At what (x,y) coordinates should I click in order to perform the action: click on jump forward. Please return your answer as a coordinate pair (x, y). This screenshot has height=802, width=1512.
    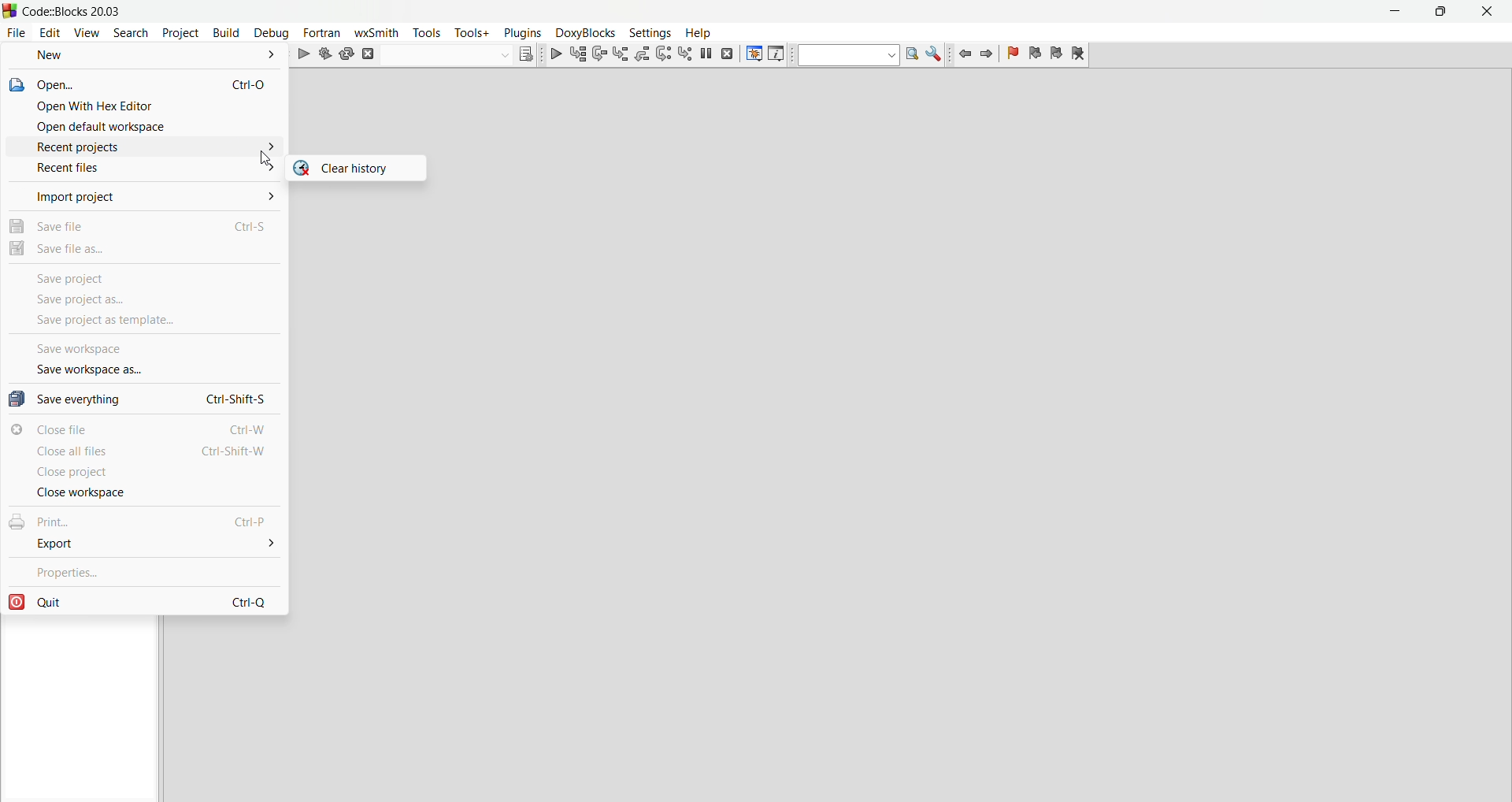
    Looking at the image, I should click on (988, 55).